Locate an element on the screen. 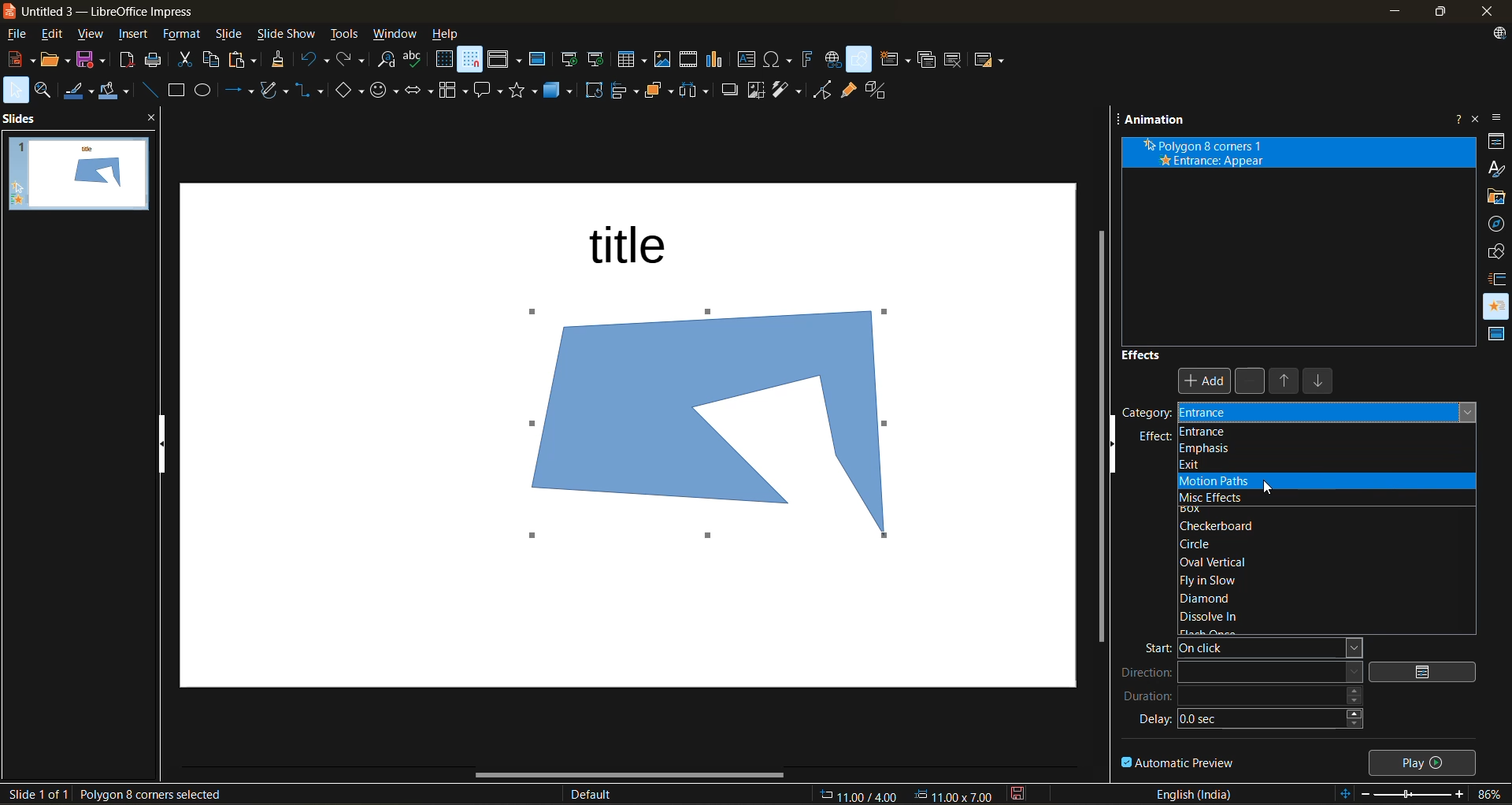  navigator is located at coordinates (1499, 224).